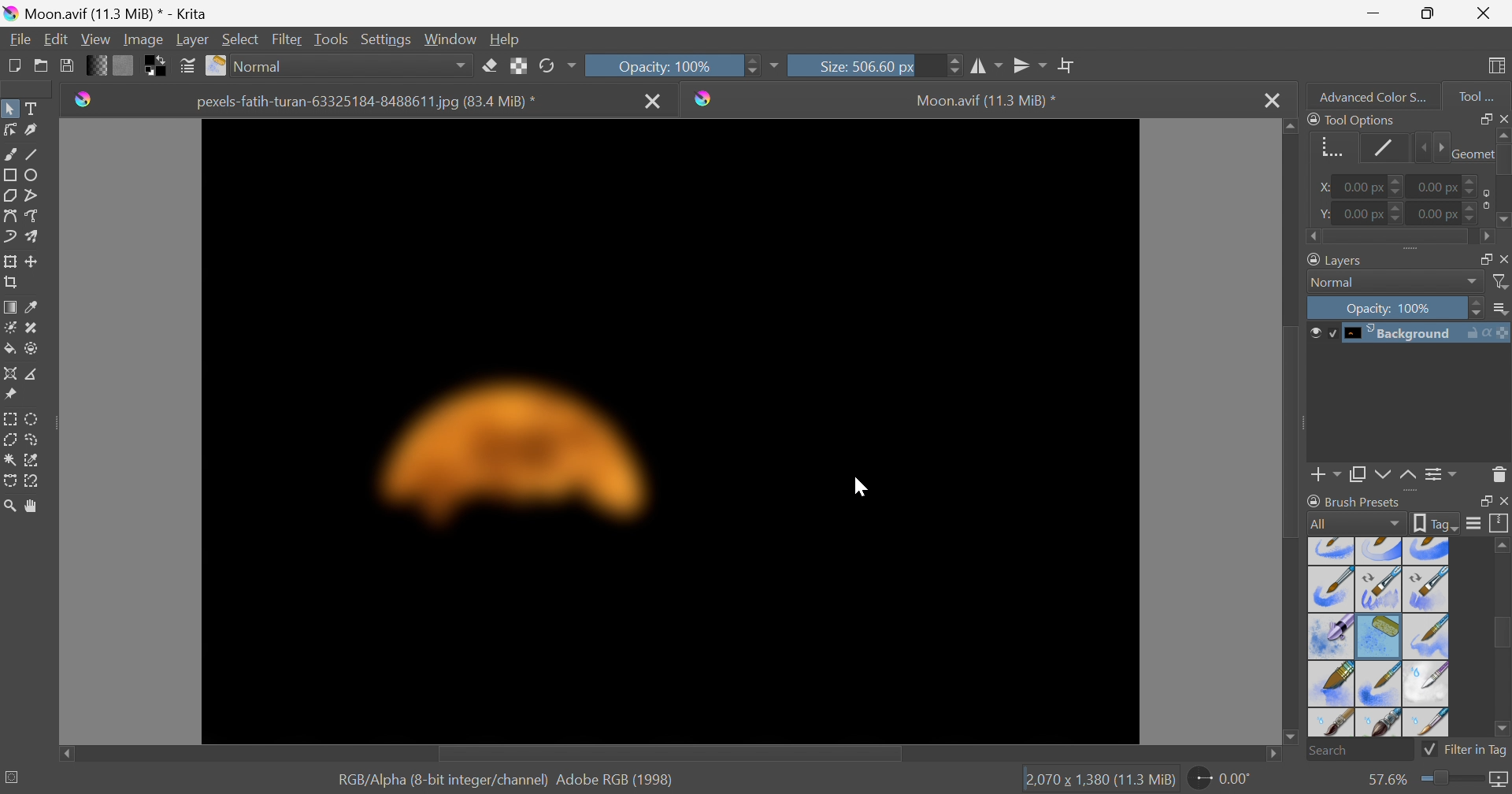  Describe the element at coordinates (367, 102) in the screenshot. I see `pexels-fatih-turan-63325184-8488611.jpg (83.4 MiB) *)` at that location.